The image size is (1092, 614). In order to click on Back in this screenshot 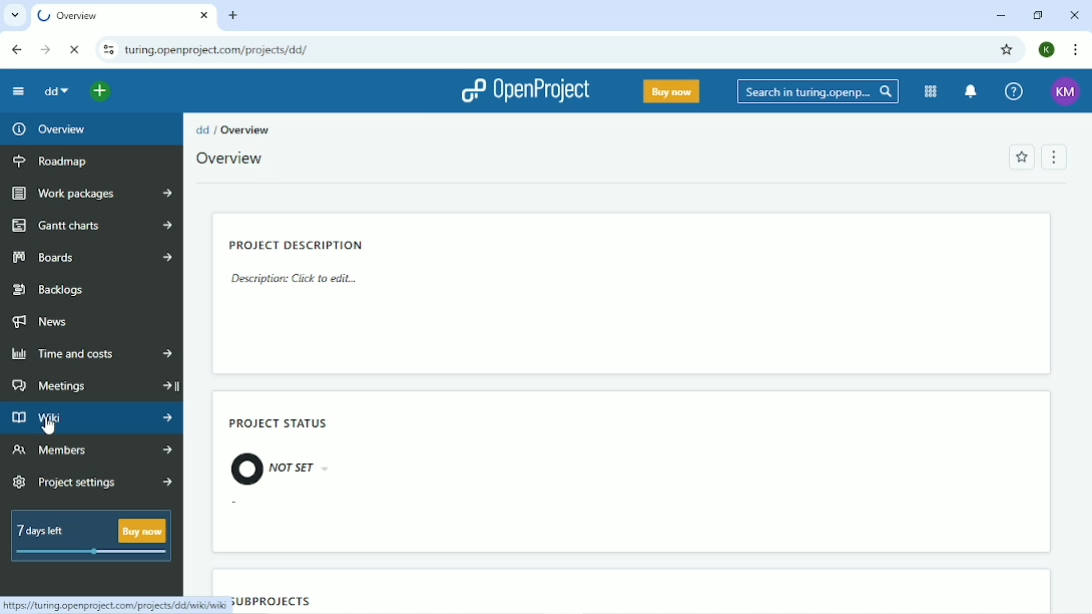, I will do `click(16, 50)`.